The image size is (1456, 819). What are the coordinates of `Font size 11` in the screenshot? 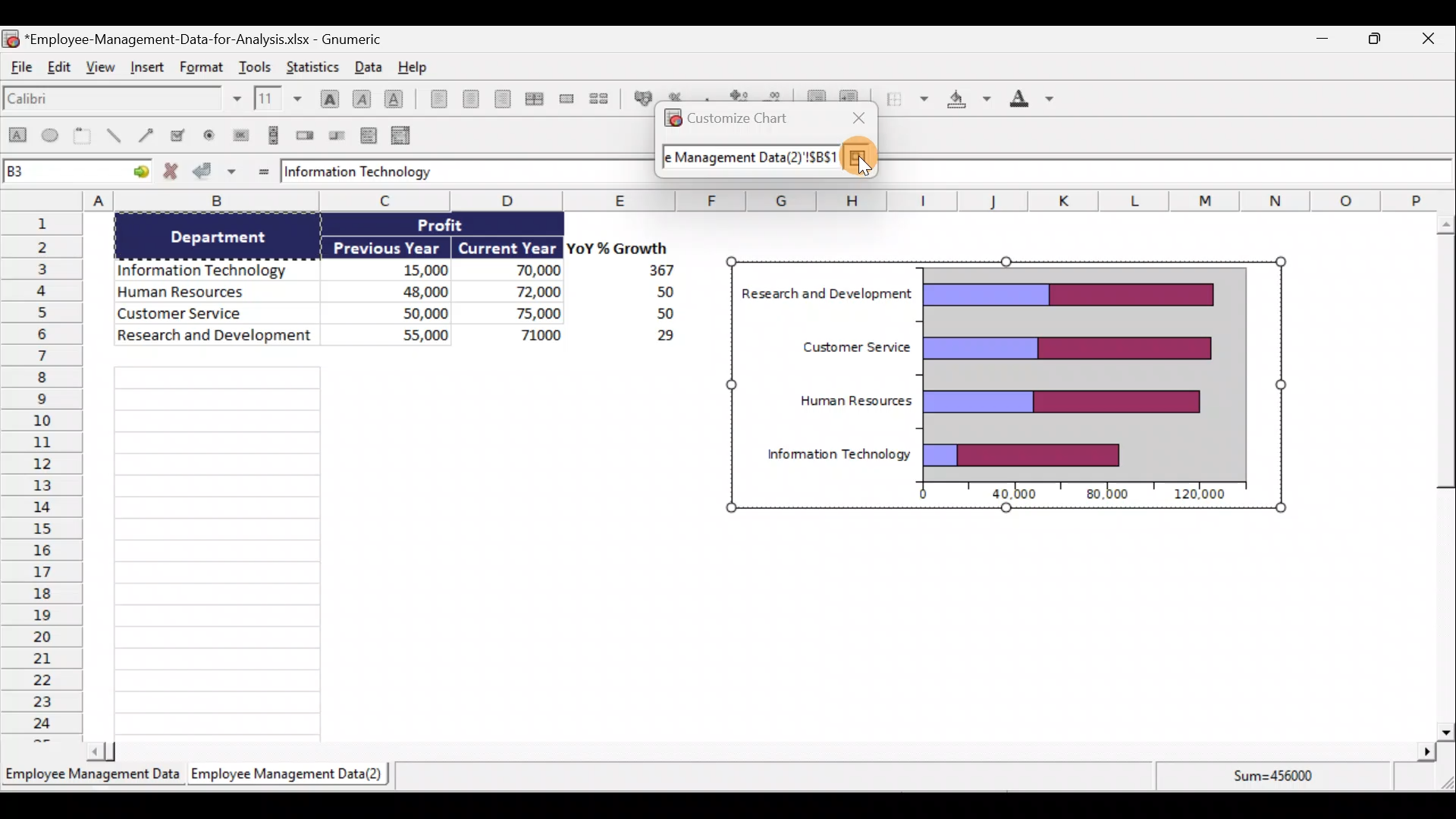 It's located at (276, 98).